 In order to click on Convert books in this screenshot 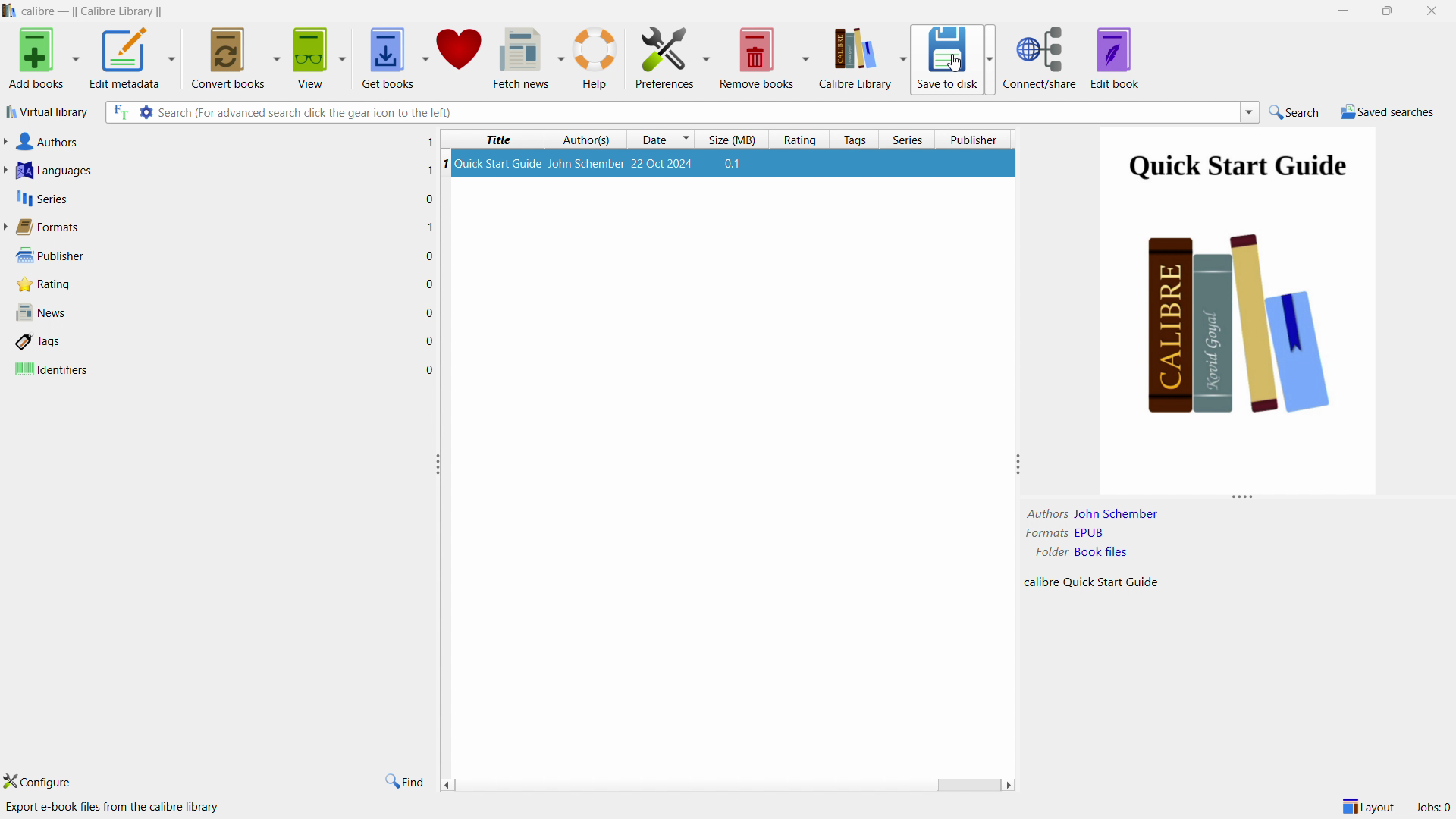, I will do `click(227, 56)`.